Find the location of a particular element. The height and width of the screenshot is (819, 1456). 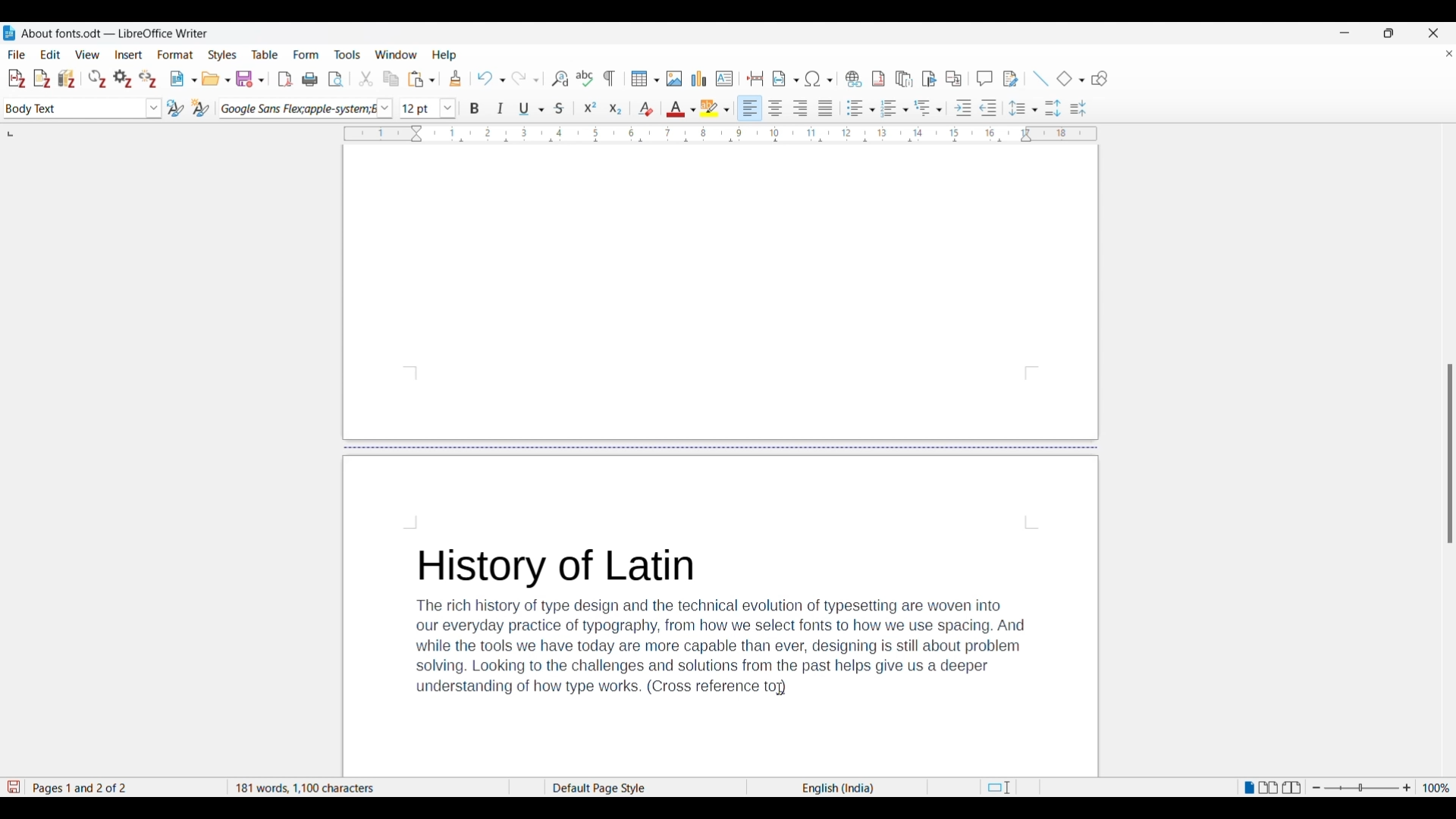

Decrease paragraph spacing is located at coordinates (1078, 108).